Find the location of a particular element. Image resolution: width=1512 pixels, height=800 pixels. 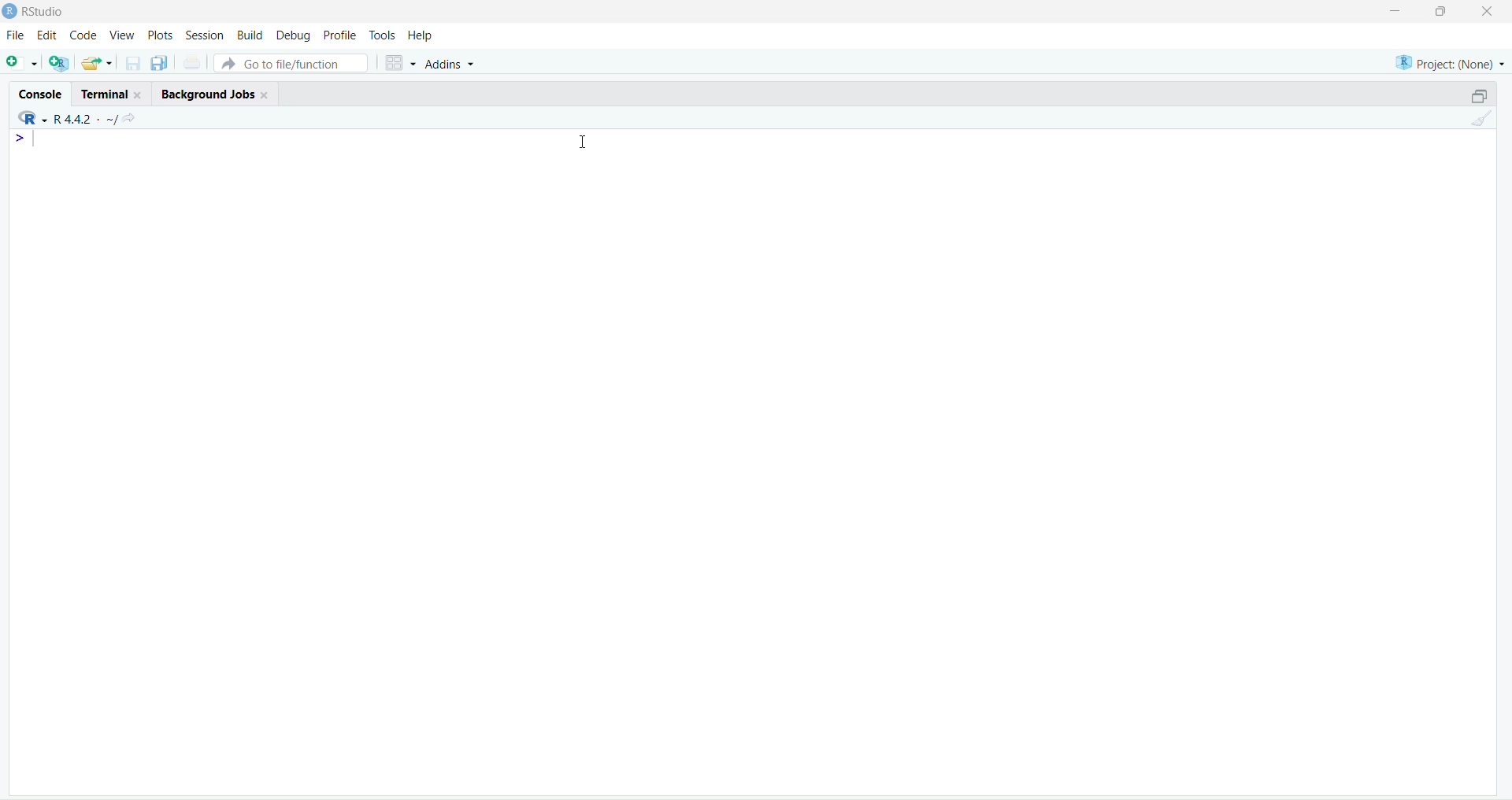

add R file is located at coordinates (60, 63).